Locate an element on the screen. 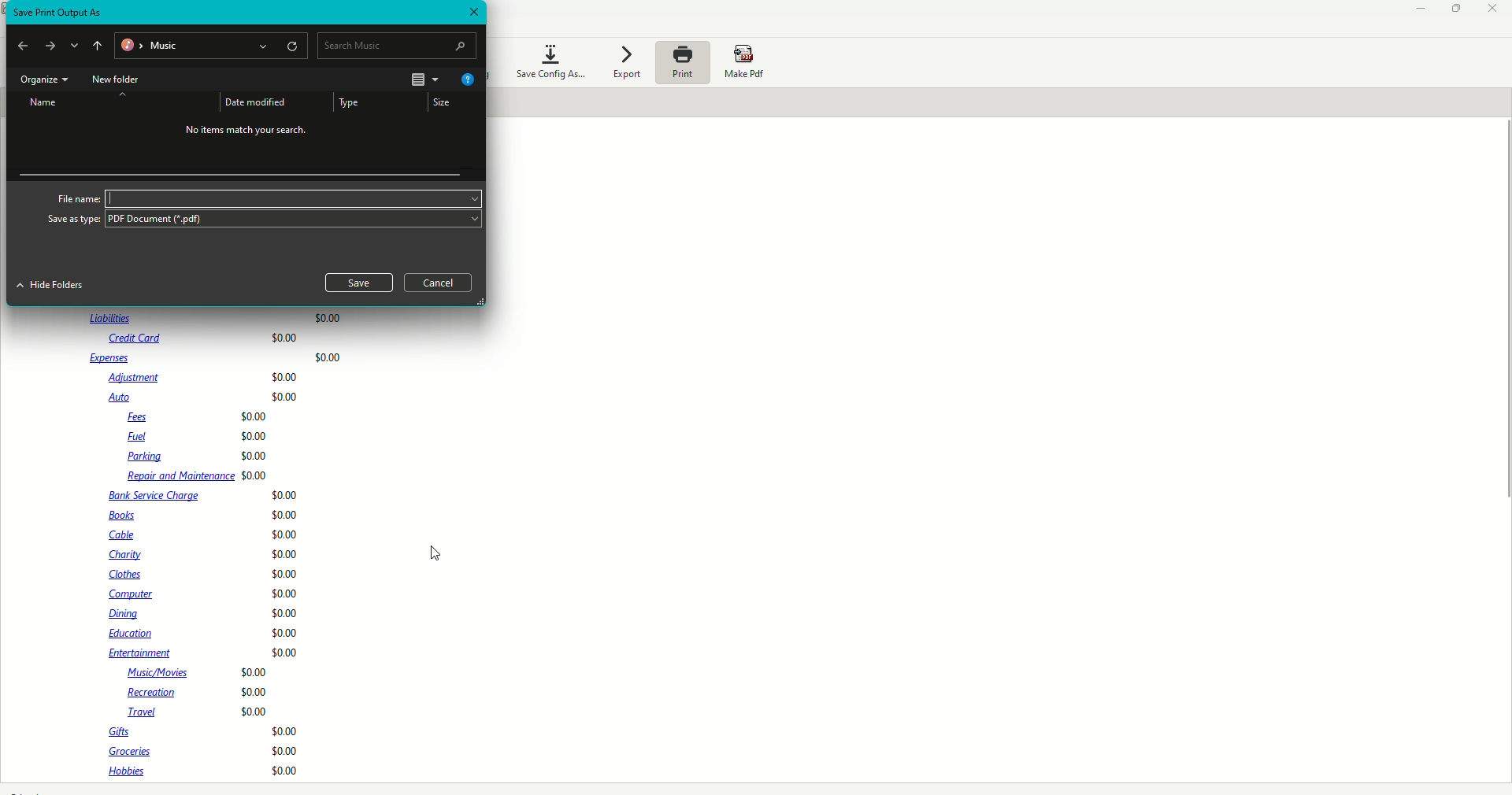 The width and height of the screenshot is (1512, 795). Save as type is located at coordinates (74, 220).